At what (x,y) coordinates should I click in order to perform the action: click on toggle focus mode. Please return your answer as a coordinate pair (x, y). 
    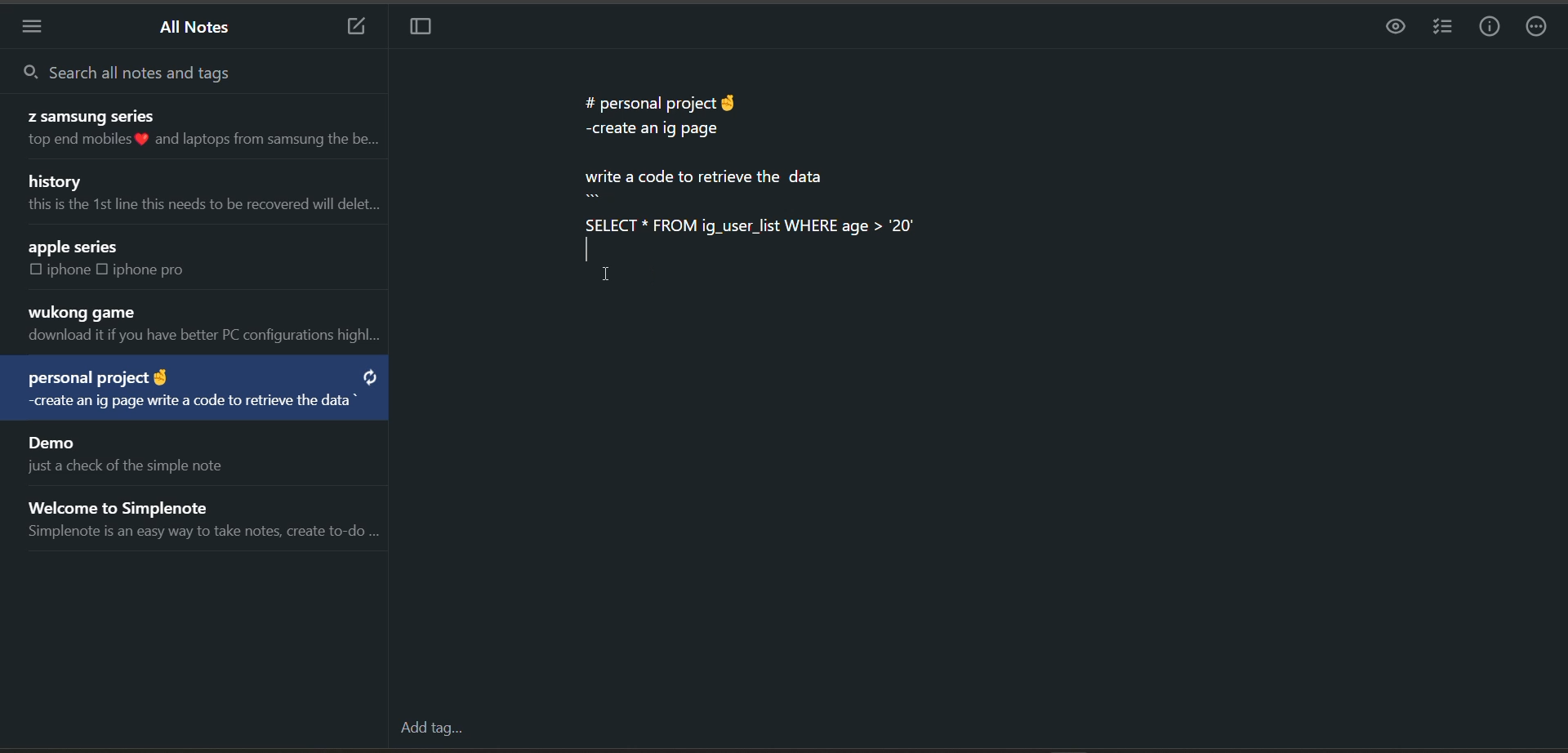
    Looking at the image, I should click on (425, 30).